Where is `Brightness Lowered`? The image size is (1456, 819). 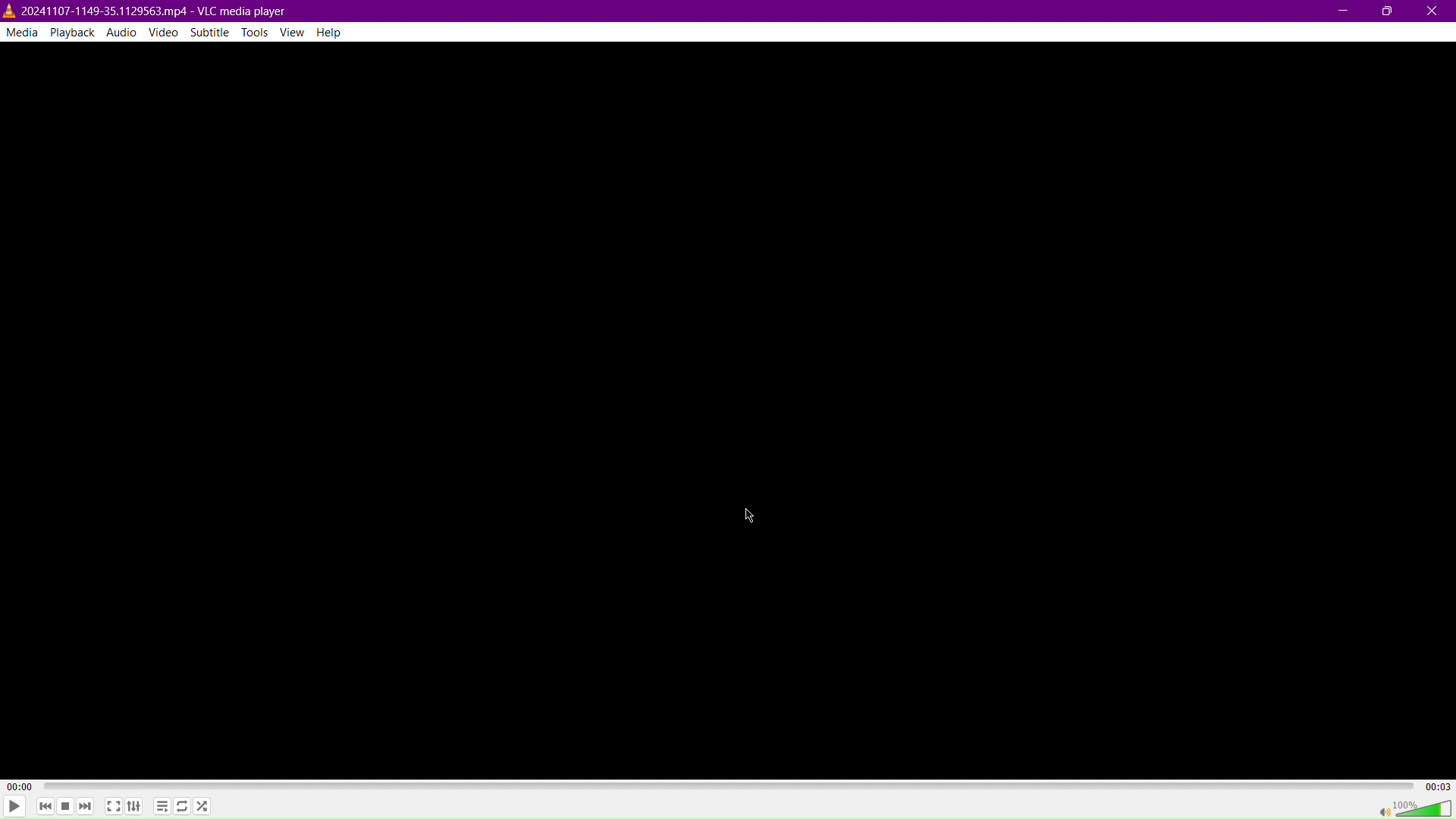 Brightness Lowered is located at coordinates (730, 405).